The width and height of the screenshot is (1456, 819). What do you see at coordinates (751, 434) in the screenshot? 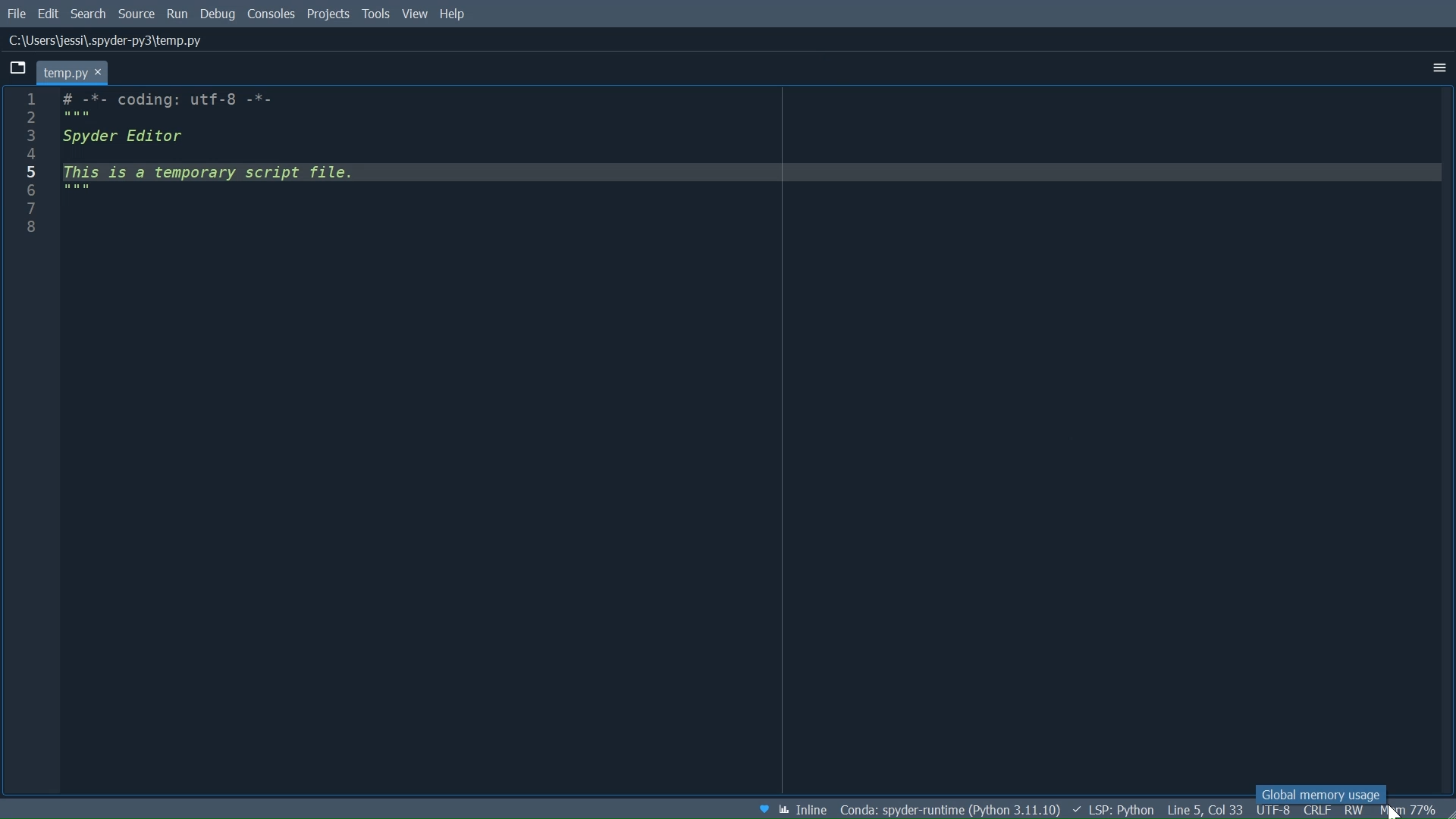
I see `# -*- coding: utf-8 -*- """ Spyder Editor  This is a temporary script file. """` at bounding box center [751, 434].